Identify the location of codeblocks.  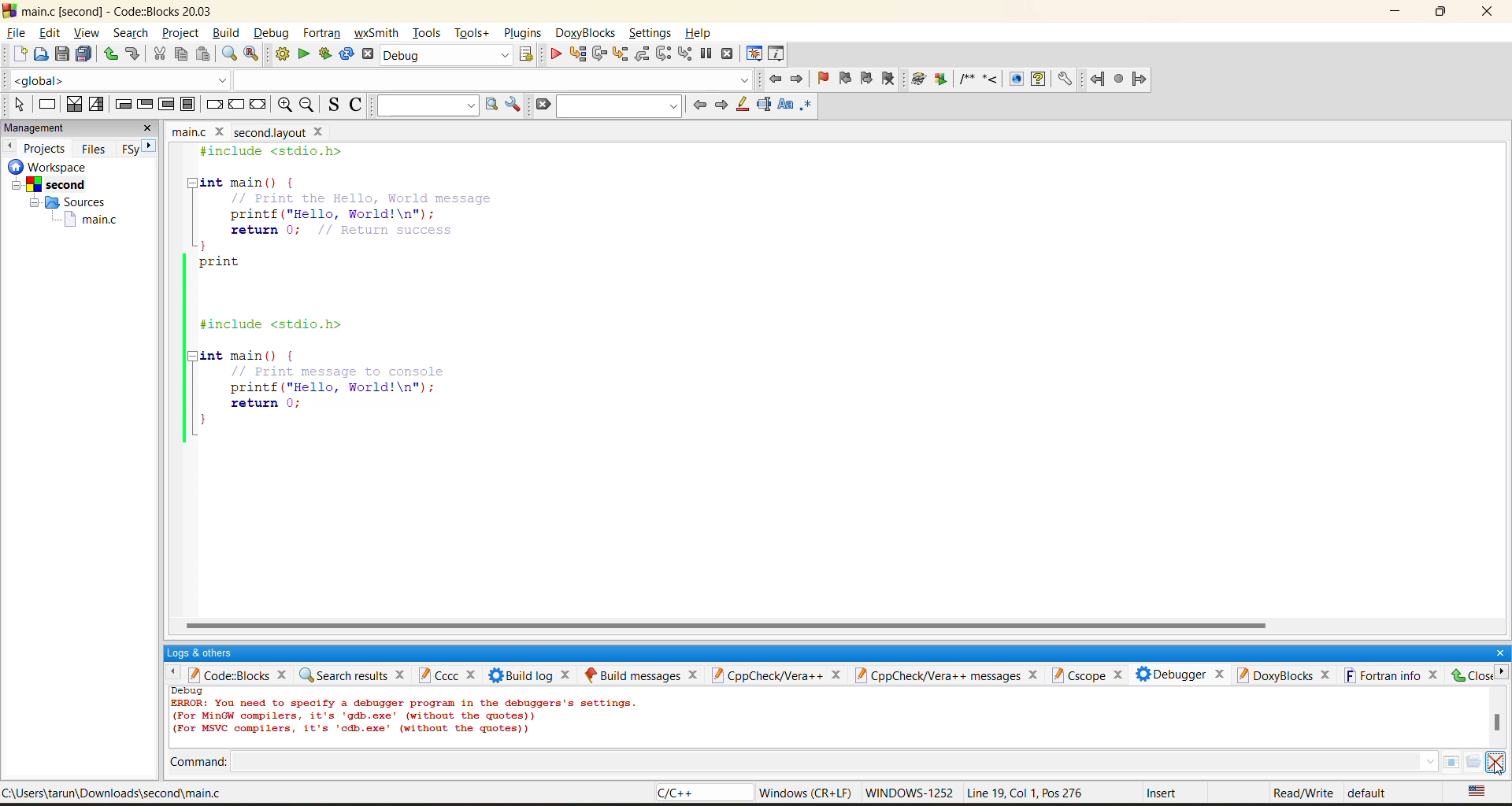
(241, 676).